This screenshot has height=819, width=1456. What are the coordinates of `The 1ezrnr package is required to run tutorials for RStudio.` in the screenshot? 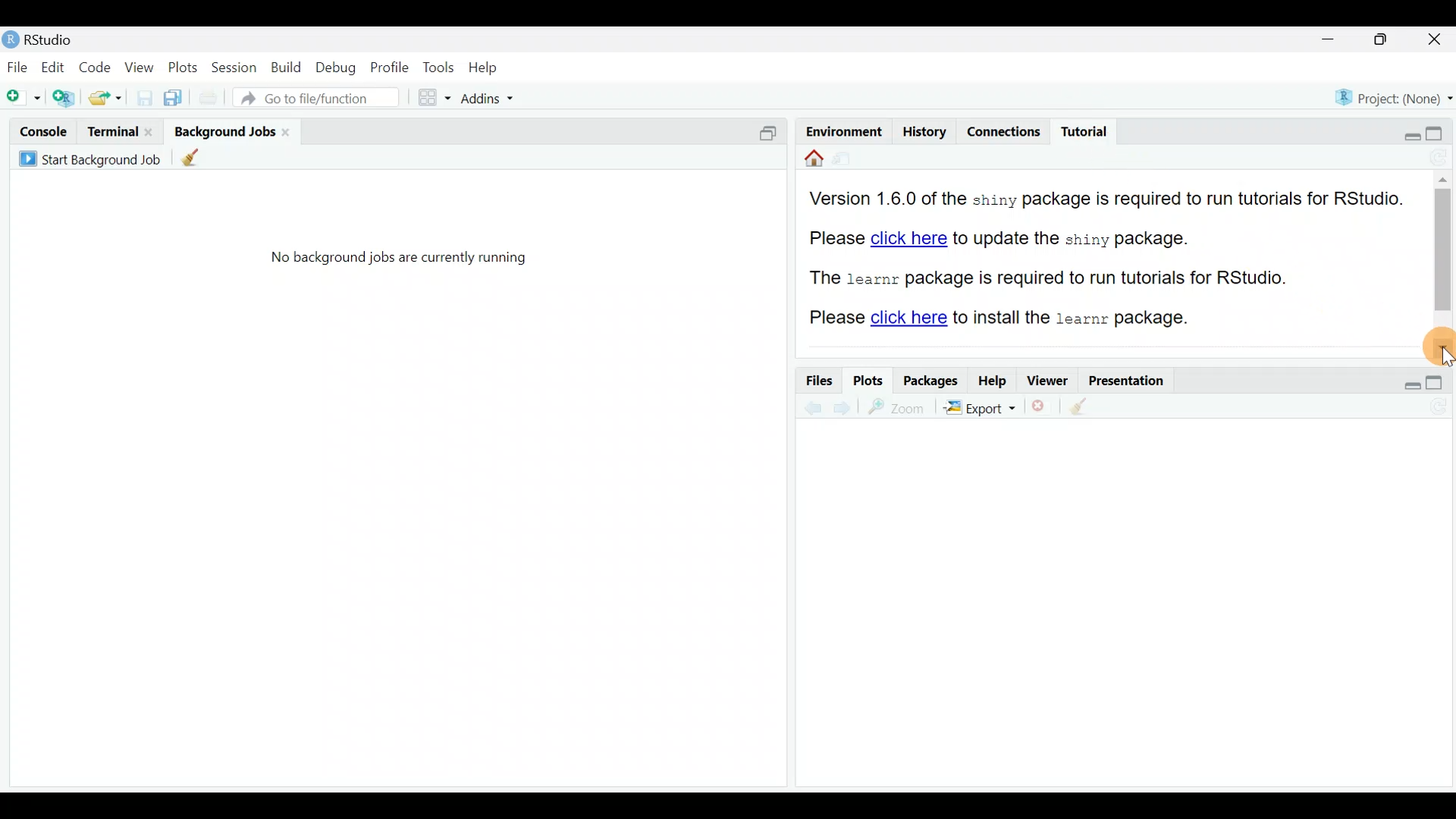 It's located at (1041, 279).